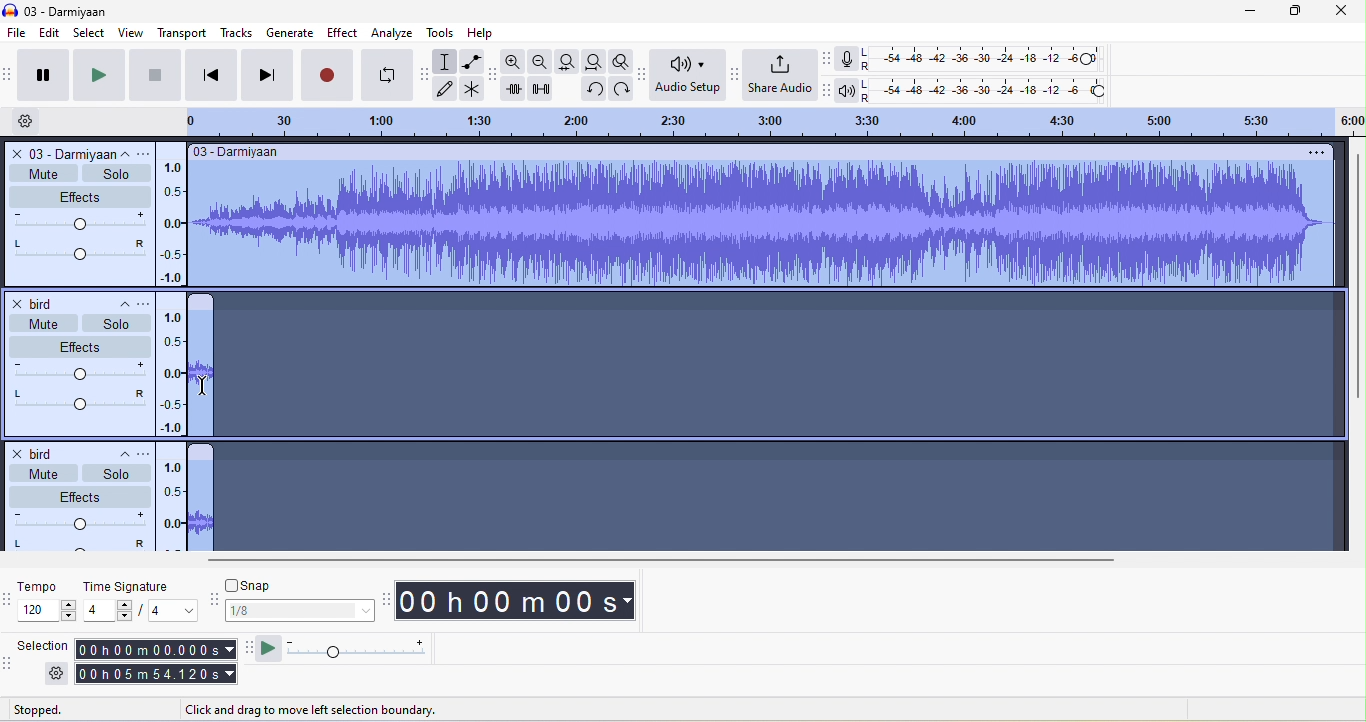  I want to click on solo, so click(116, 473).